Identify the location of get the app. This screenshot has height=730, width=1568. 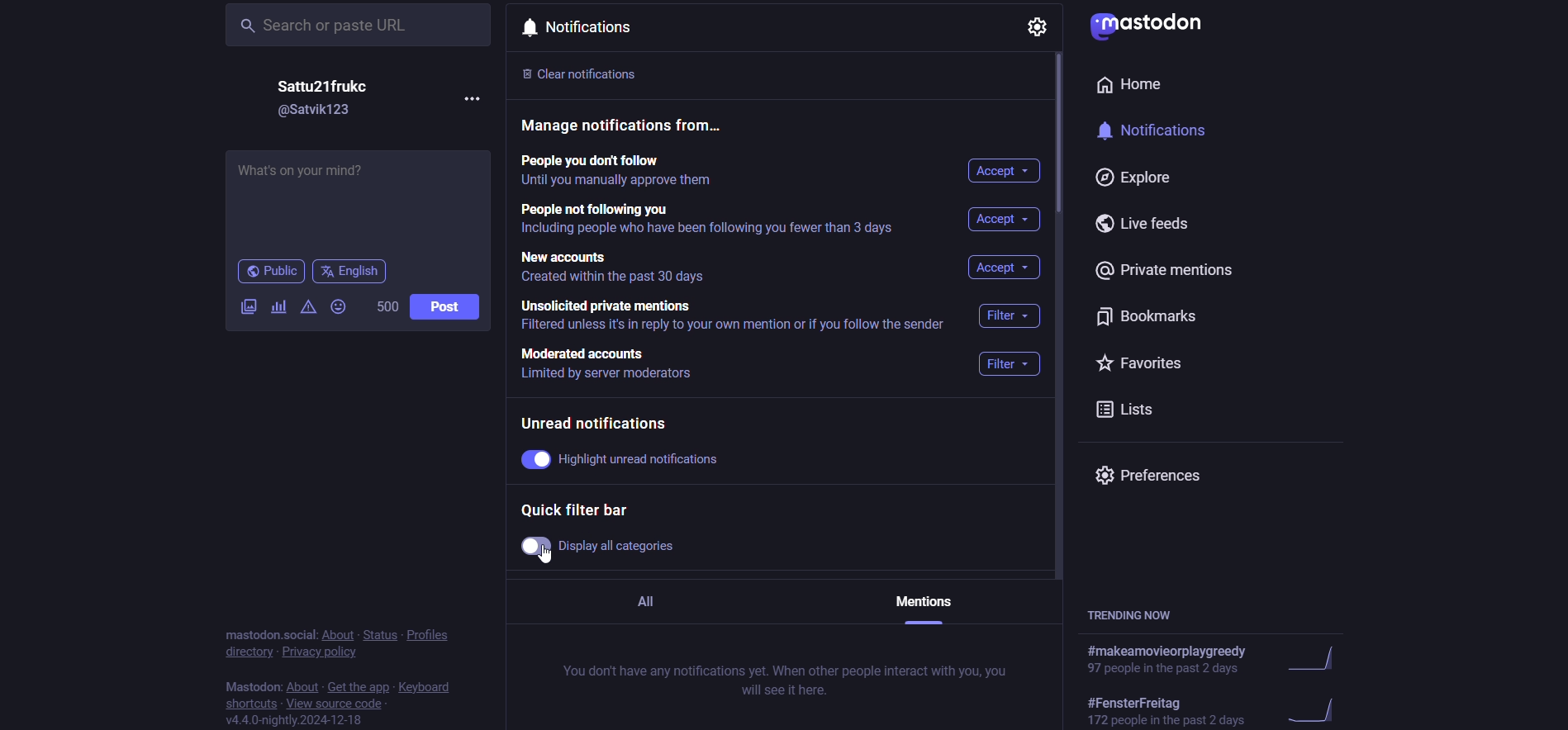
(361, 688).